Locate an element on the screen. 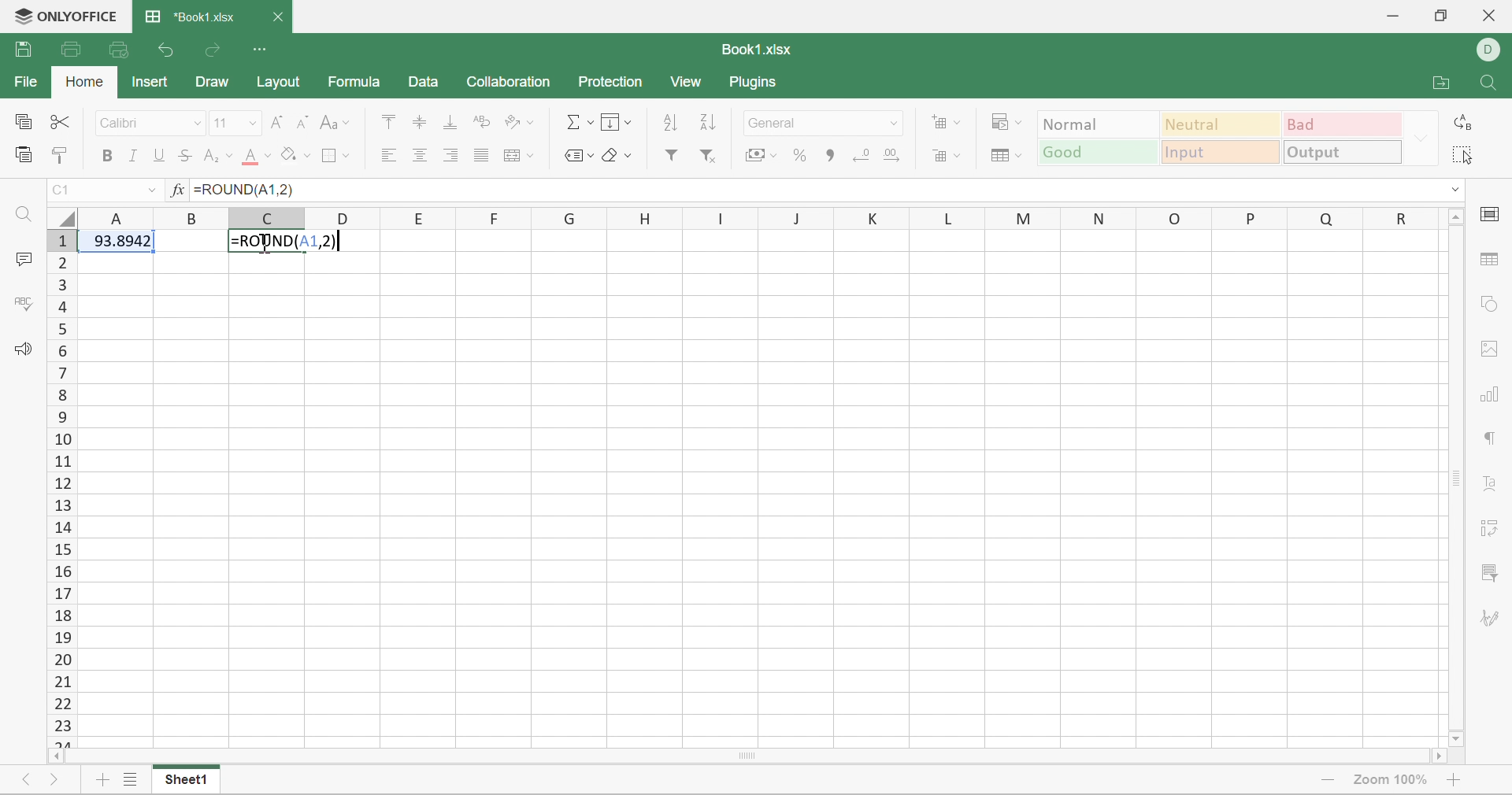 The width and height of the screenshot is (1512, 795). Descending order is located at coordinates (706, 122).